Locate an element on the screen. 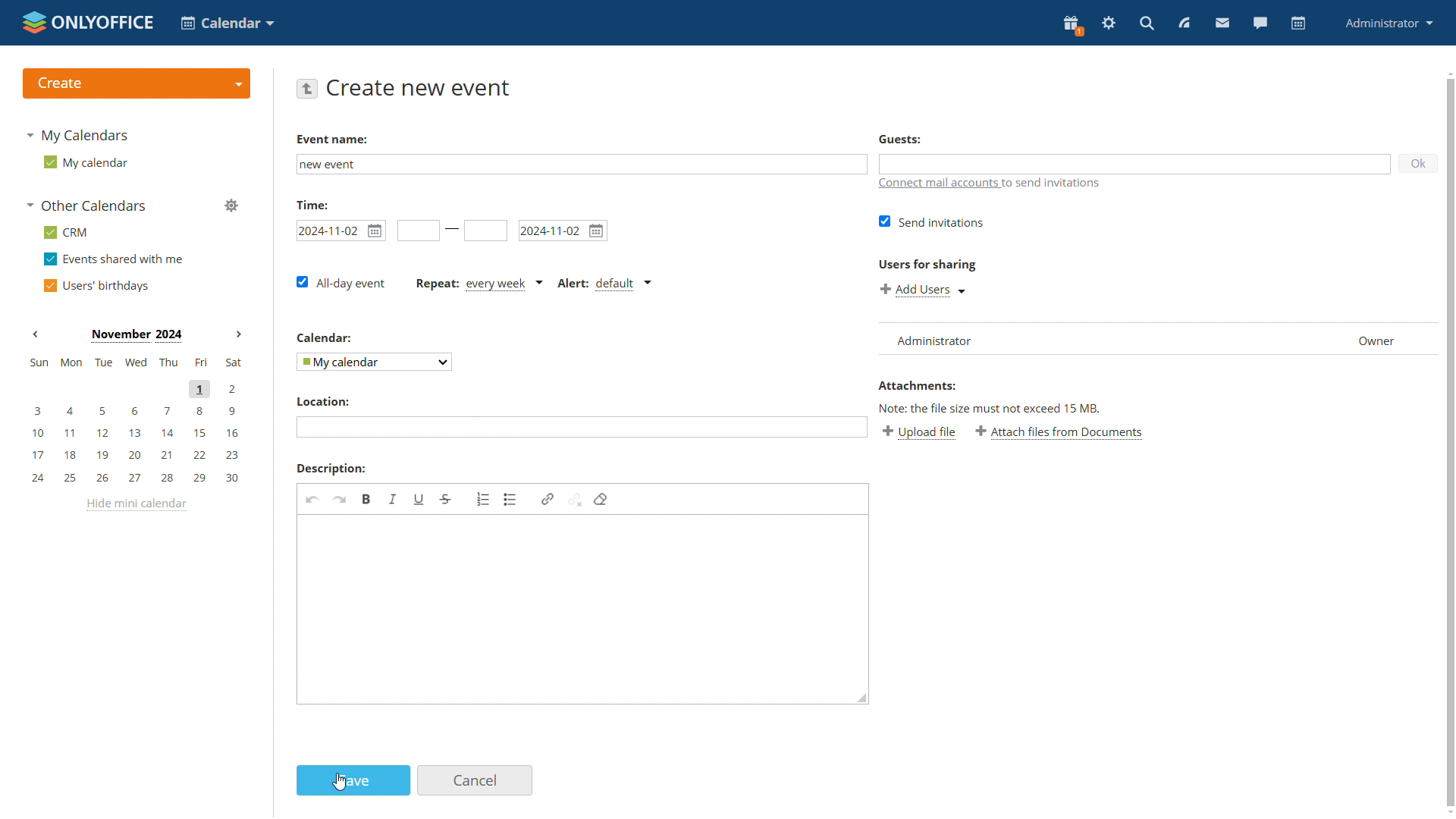 The height and width of the screenshot is (819, 1456). save is located at coordinates (353, 781).